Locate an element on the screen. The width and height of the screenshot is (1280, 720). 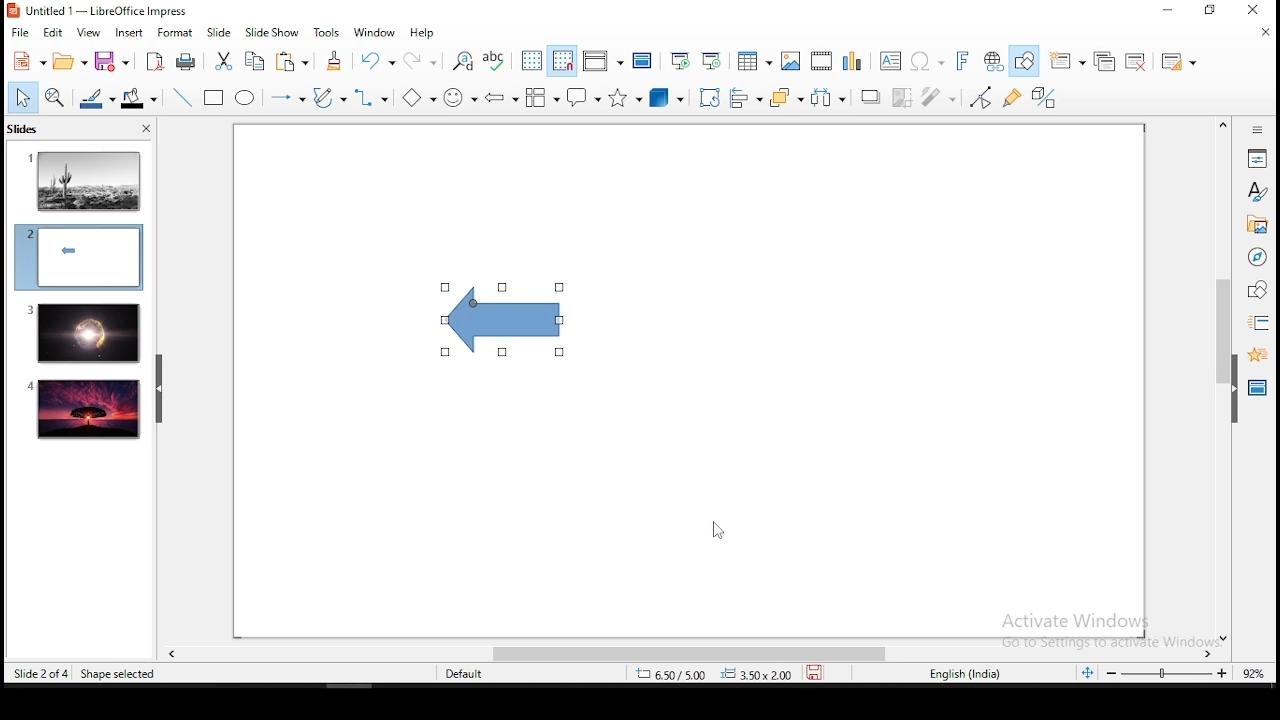
special characters is located at coordinates (924, 62).